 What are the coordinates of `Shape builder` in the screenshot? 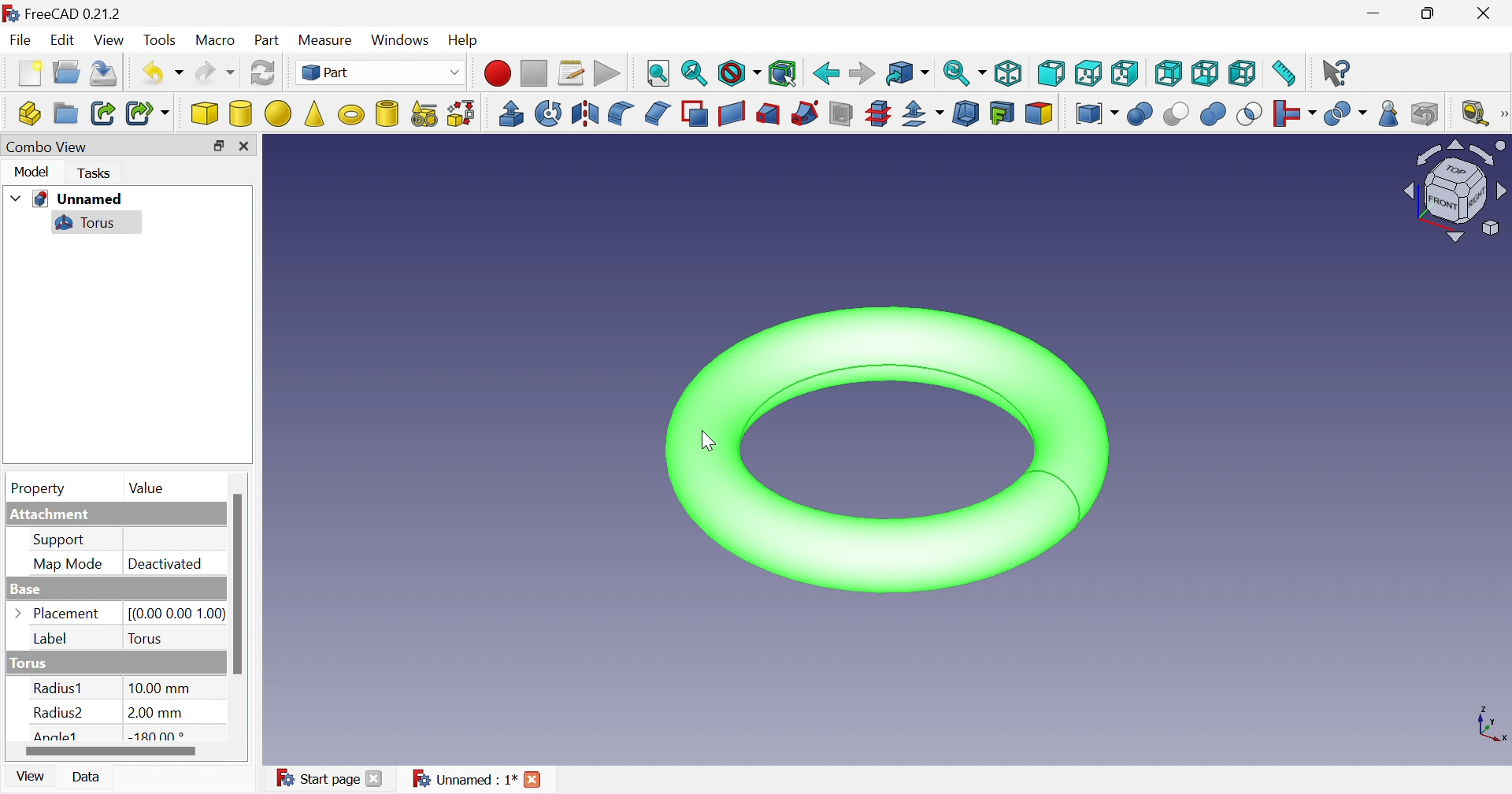 It's located at (465, 114).